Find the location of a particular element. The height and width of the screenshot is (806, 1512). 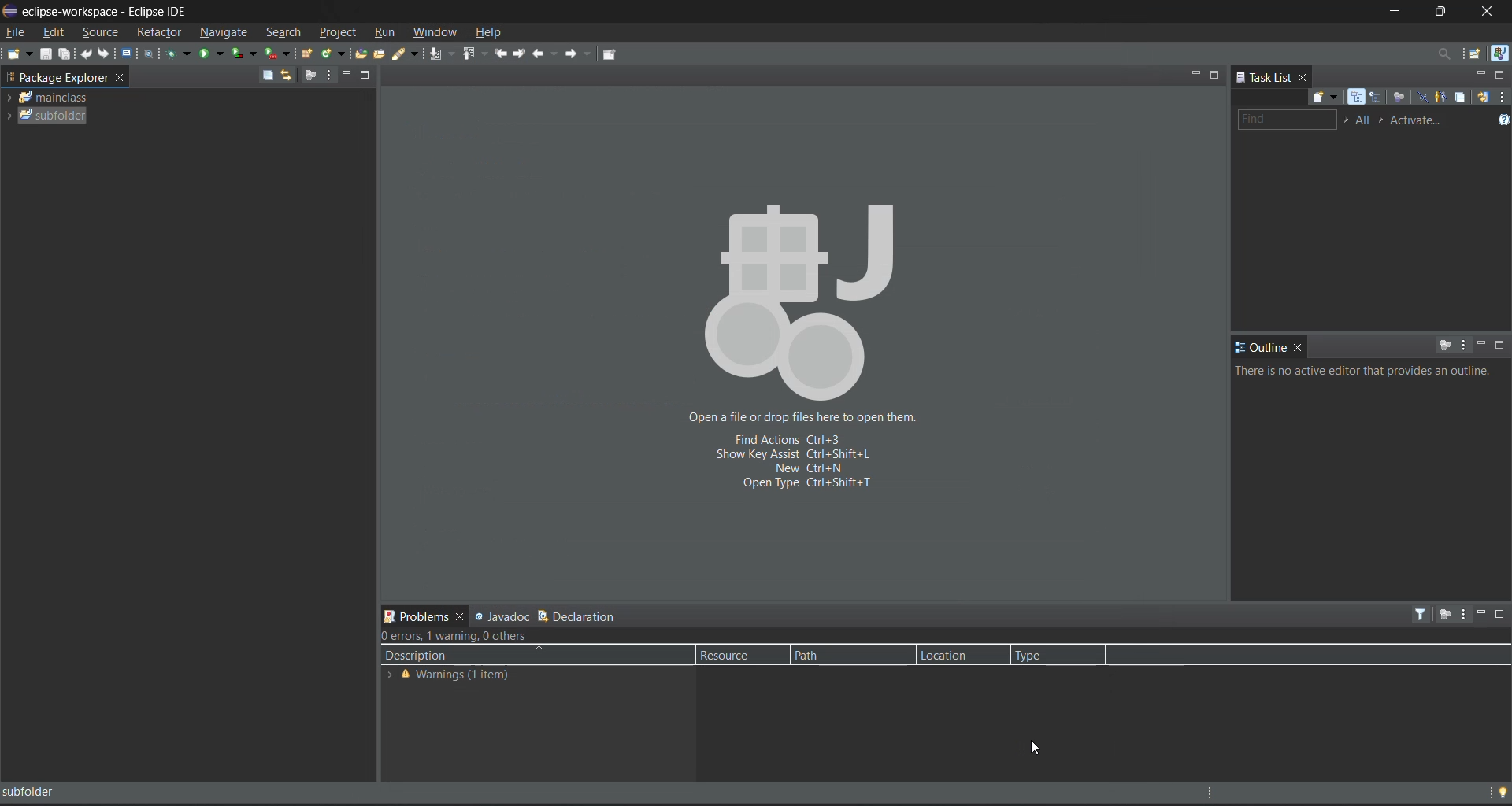

open perspective is located at coordinates (1473, 54).